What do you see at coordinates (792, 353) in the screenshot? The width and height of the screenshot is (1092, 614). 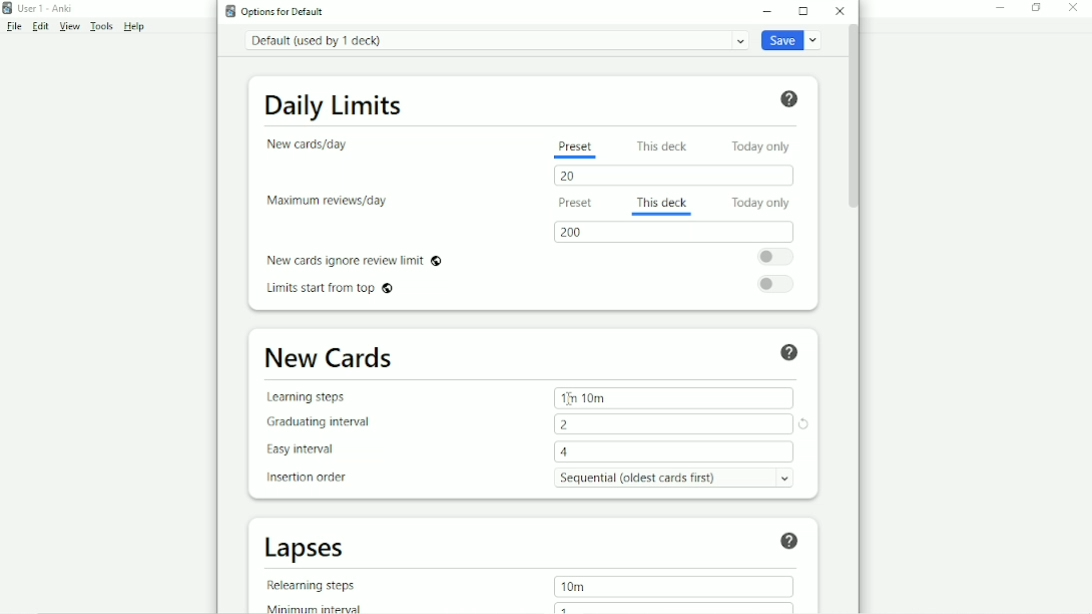 I see `Help` at bounding box center [792, 353].